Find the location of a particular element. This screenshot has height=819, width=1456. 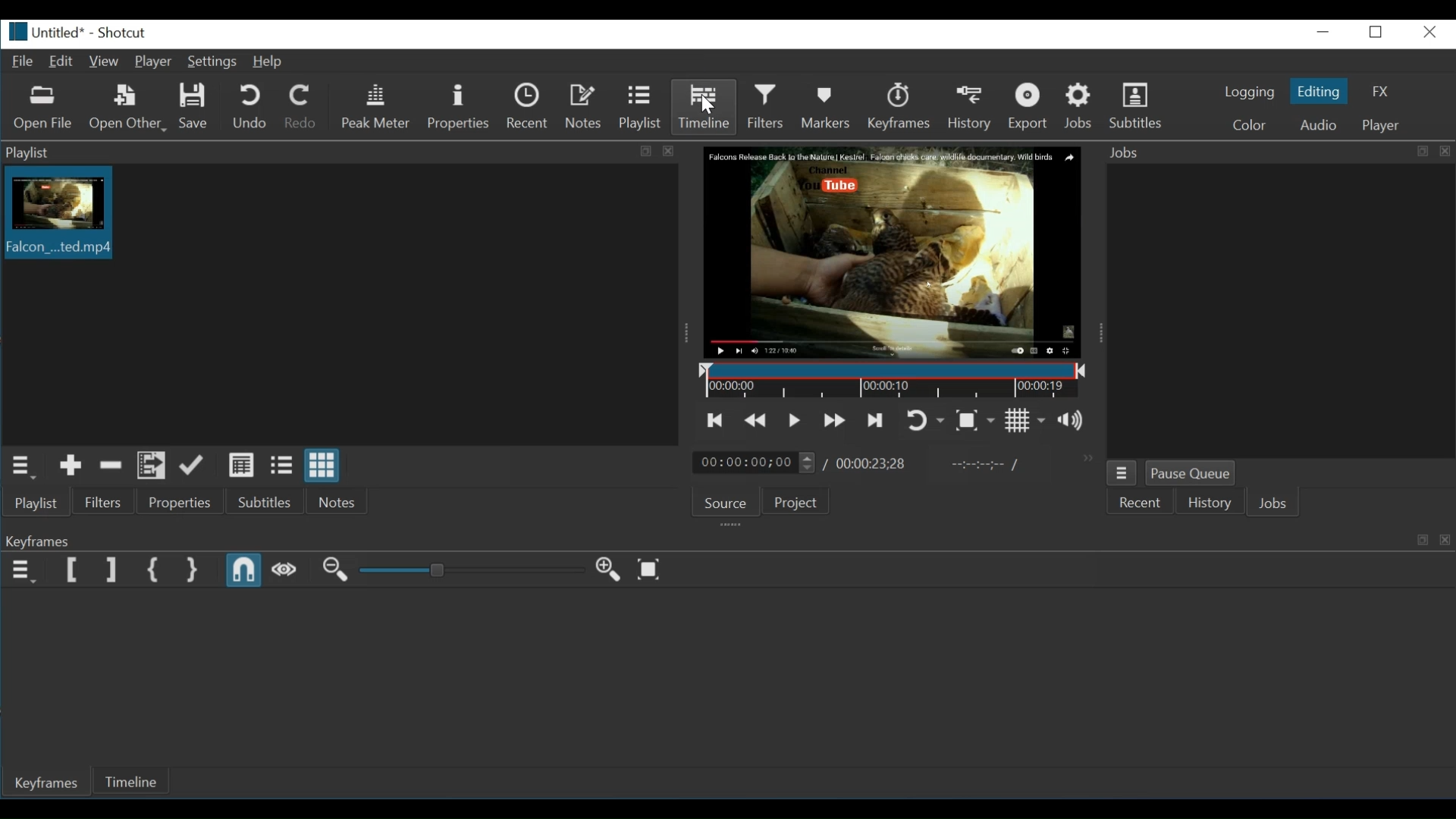

Edit is located at coordinates (61, 62).